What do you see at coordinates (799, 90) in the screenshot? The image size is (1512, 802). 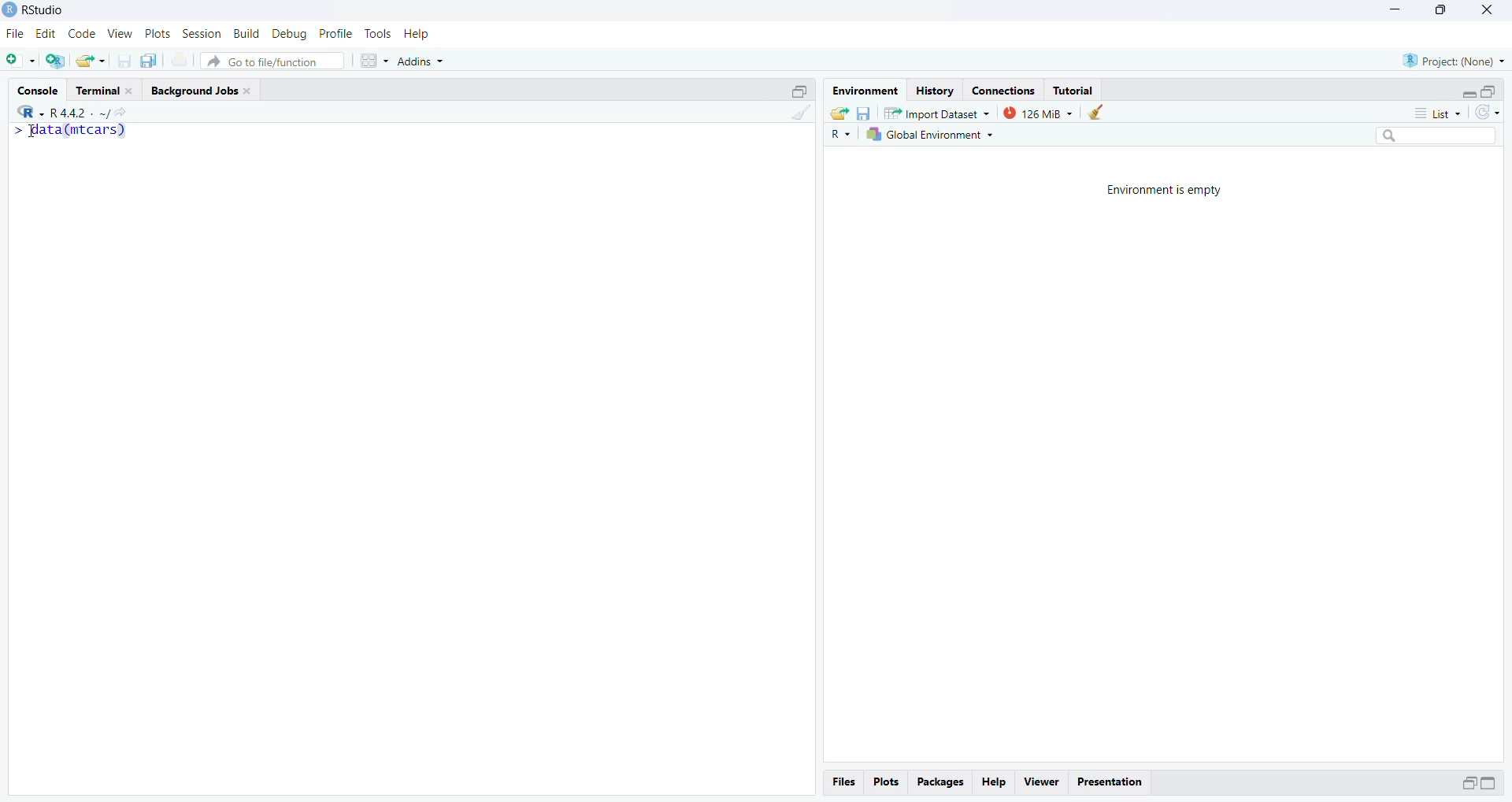 I see `minimize` at bounding box center [799, 90].